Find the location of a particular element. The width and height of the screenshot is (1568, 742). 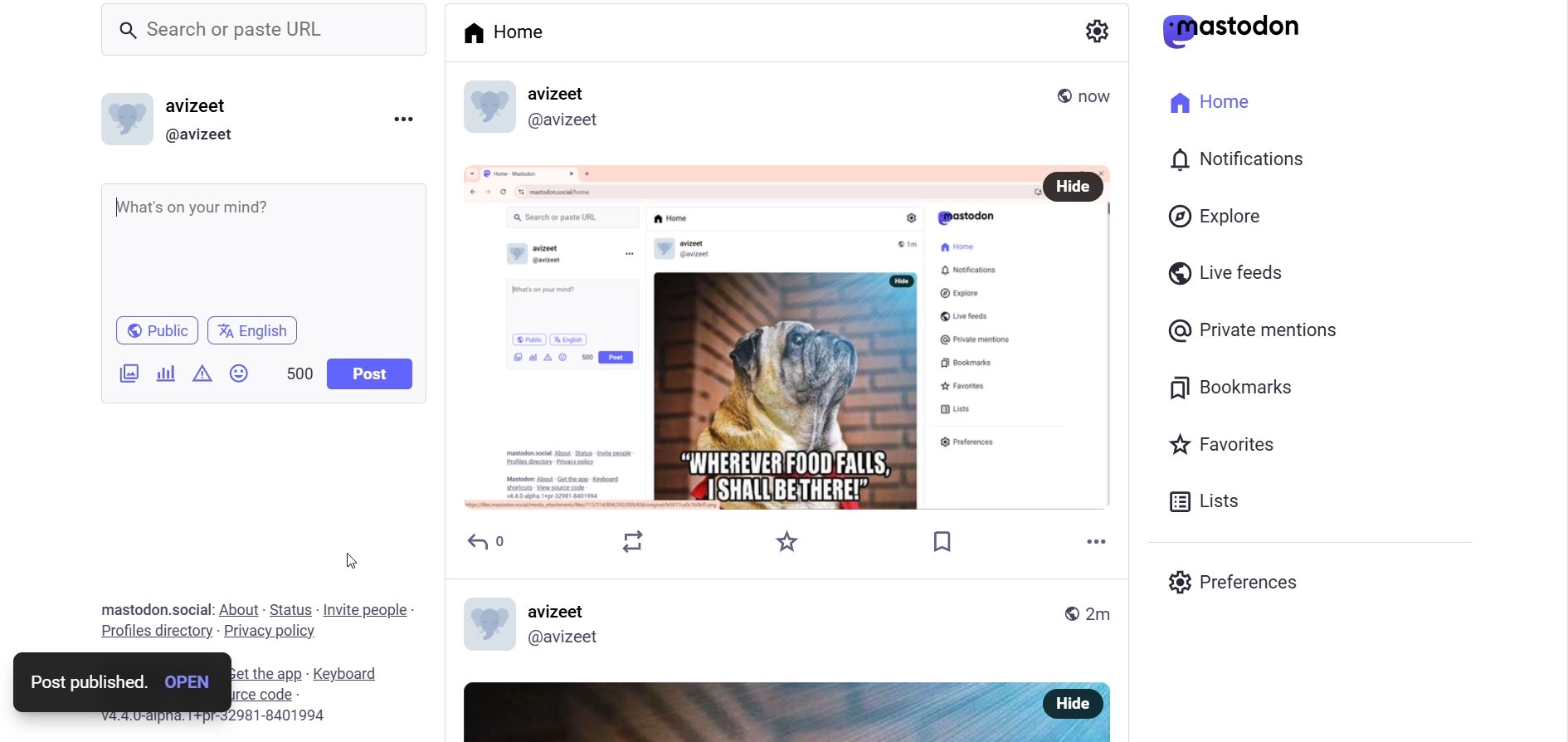

post is located at coordinates (368, 373).